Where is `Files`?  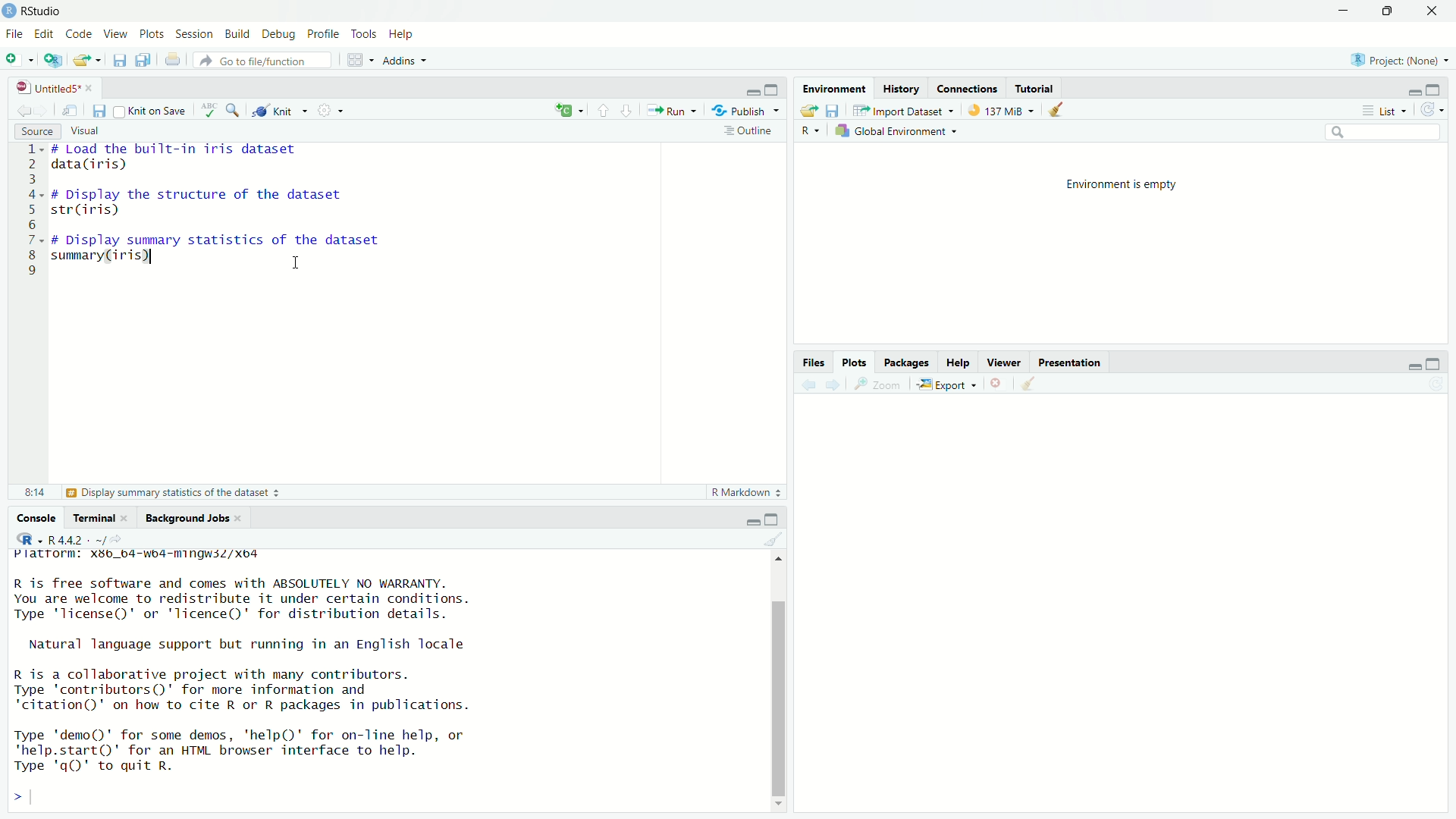 Files is located at coordinates (814, 362).